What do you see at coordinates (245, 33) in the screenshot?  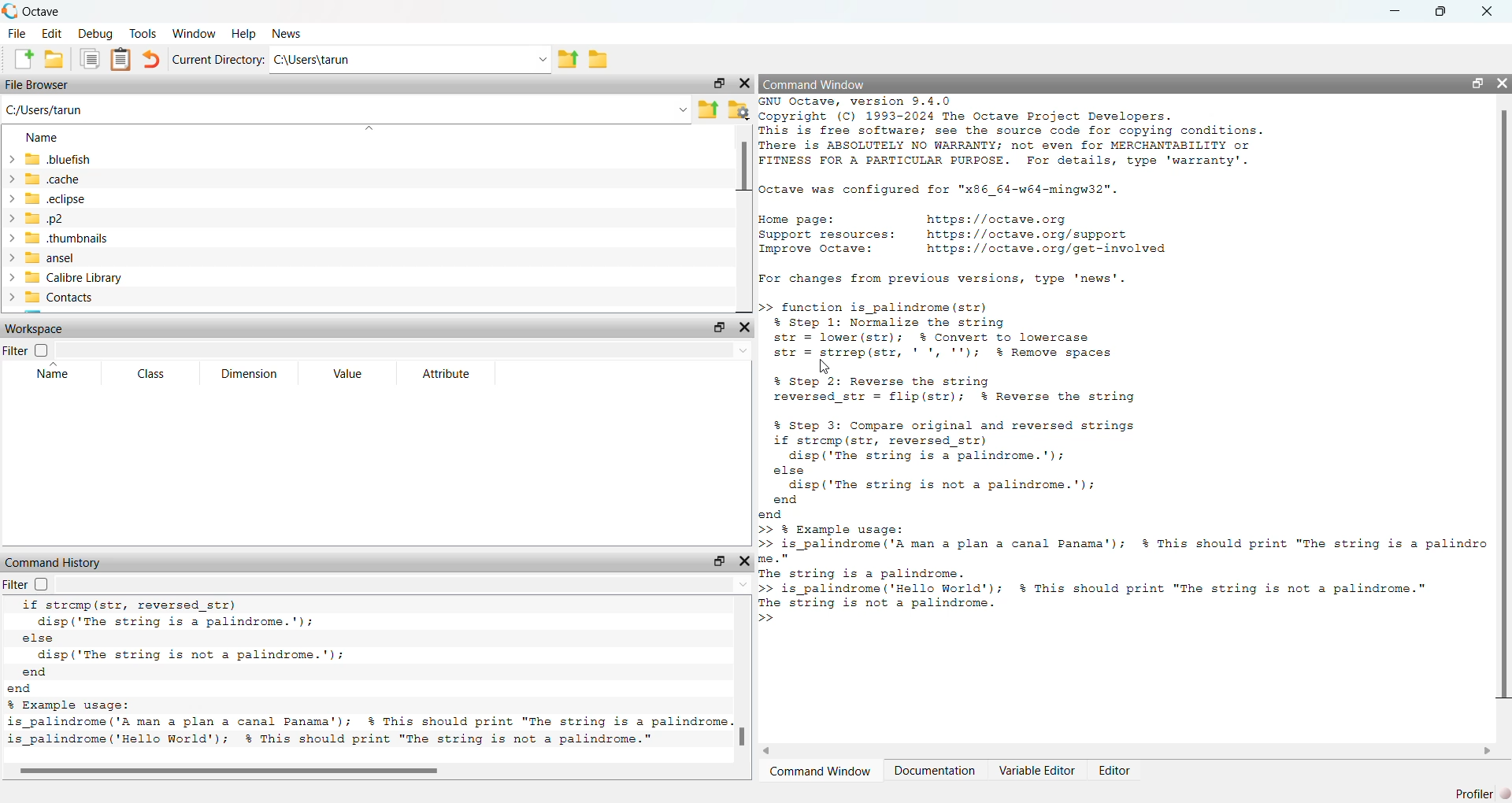 I see `help` at bounding box center [245, 33].